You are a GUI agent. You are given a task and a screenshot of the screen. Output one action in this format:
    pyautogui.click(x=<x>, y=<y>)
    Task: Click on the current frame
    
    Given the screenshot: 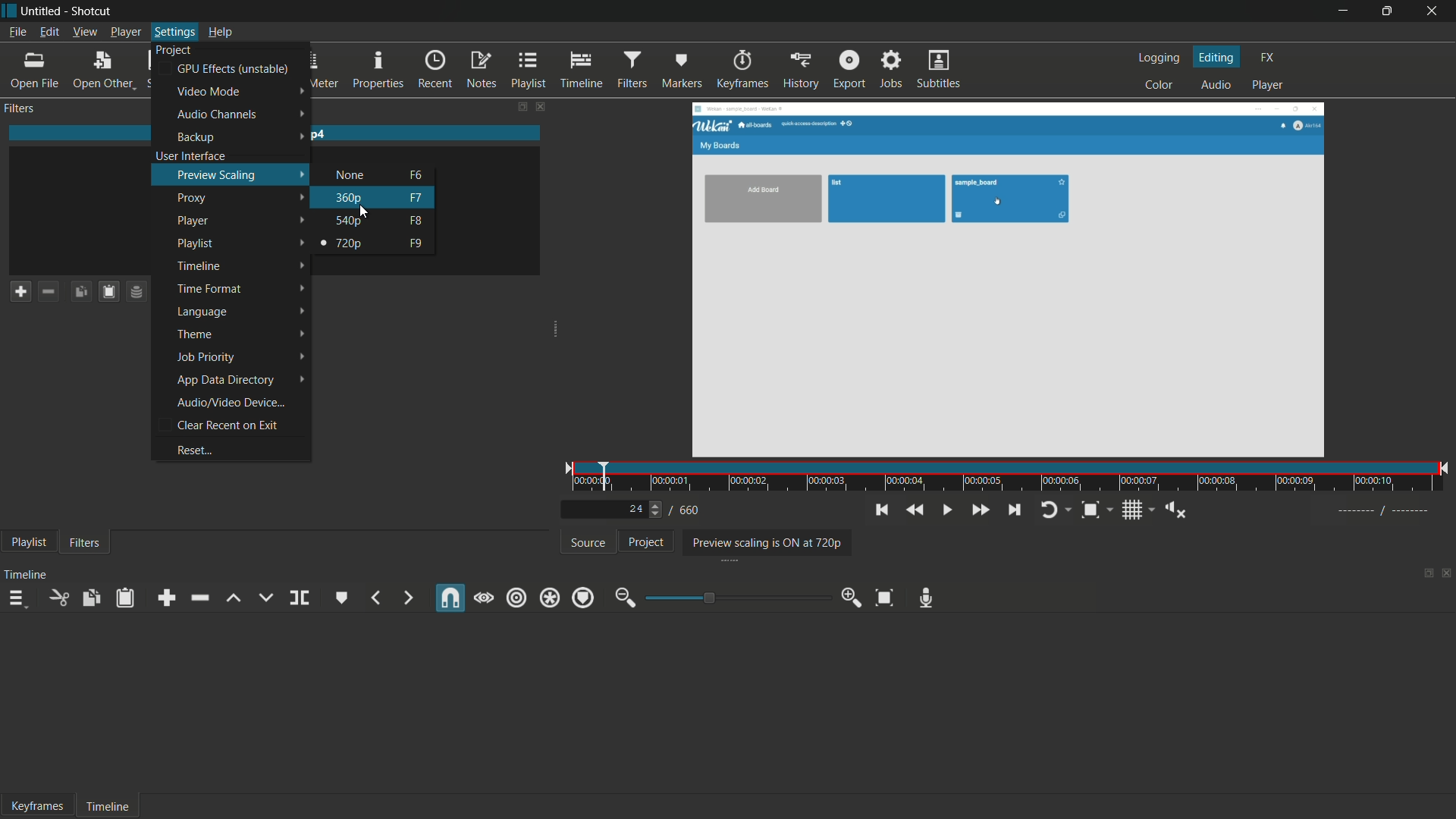 What is the action you would take?
    pyautogui.click(x=635, y=508)
    